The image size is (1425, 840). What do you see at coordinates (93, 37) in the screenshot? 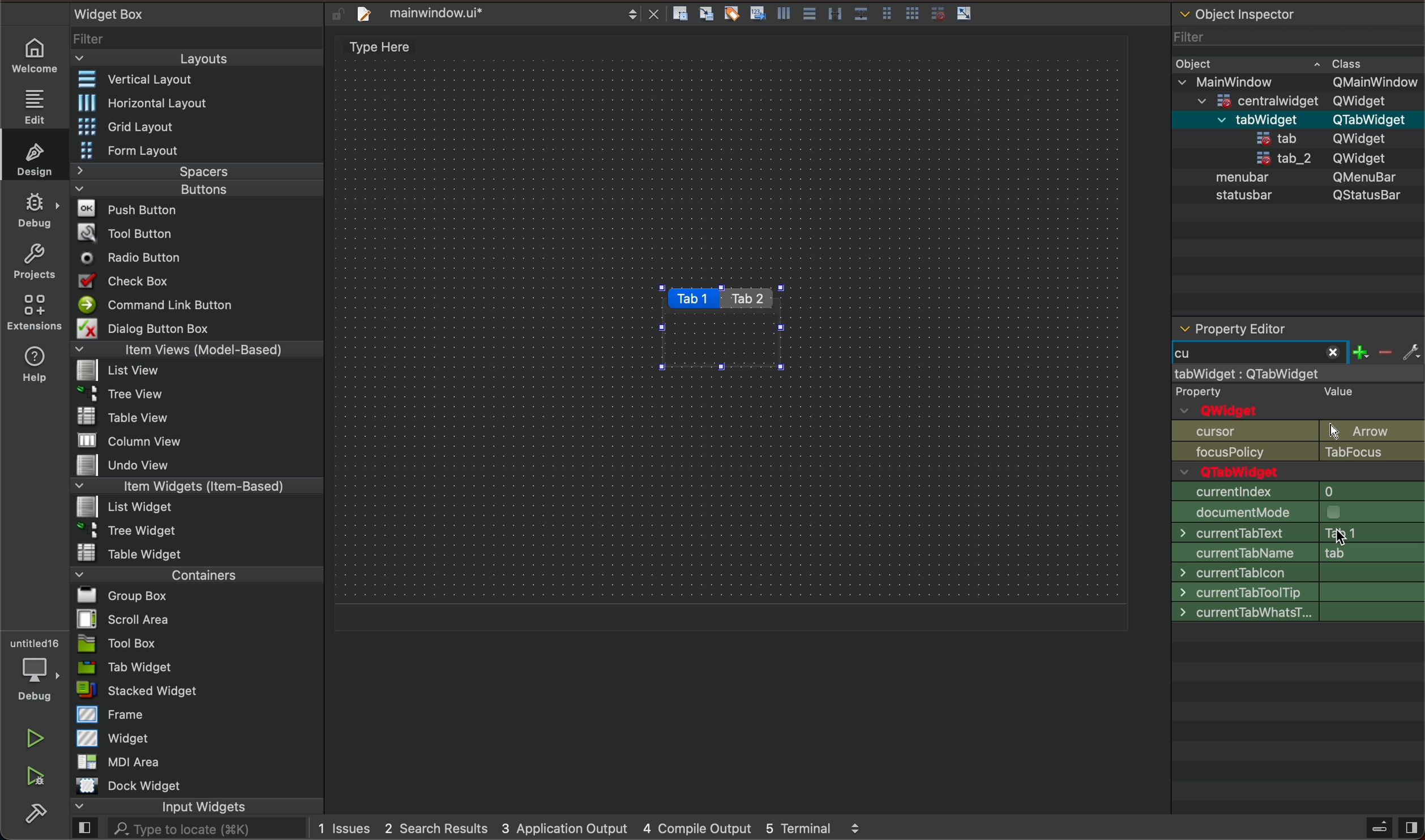
I see `Filter` at bounding box center [93, 37].